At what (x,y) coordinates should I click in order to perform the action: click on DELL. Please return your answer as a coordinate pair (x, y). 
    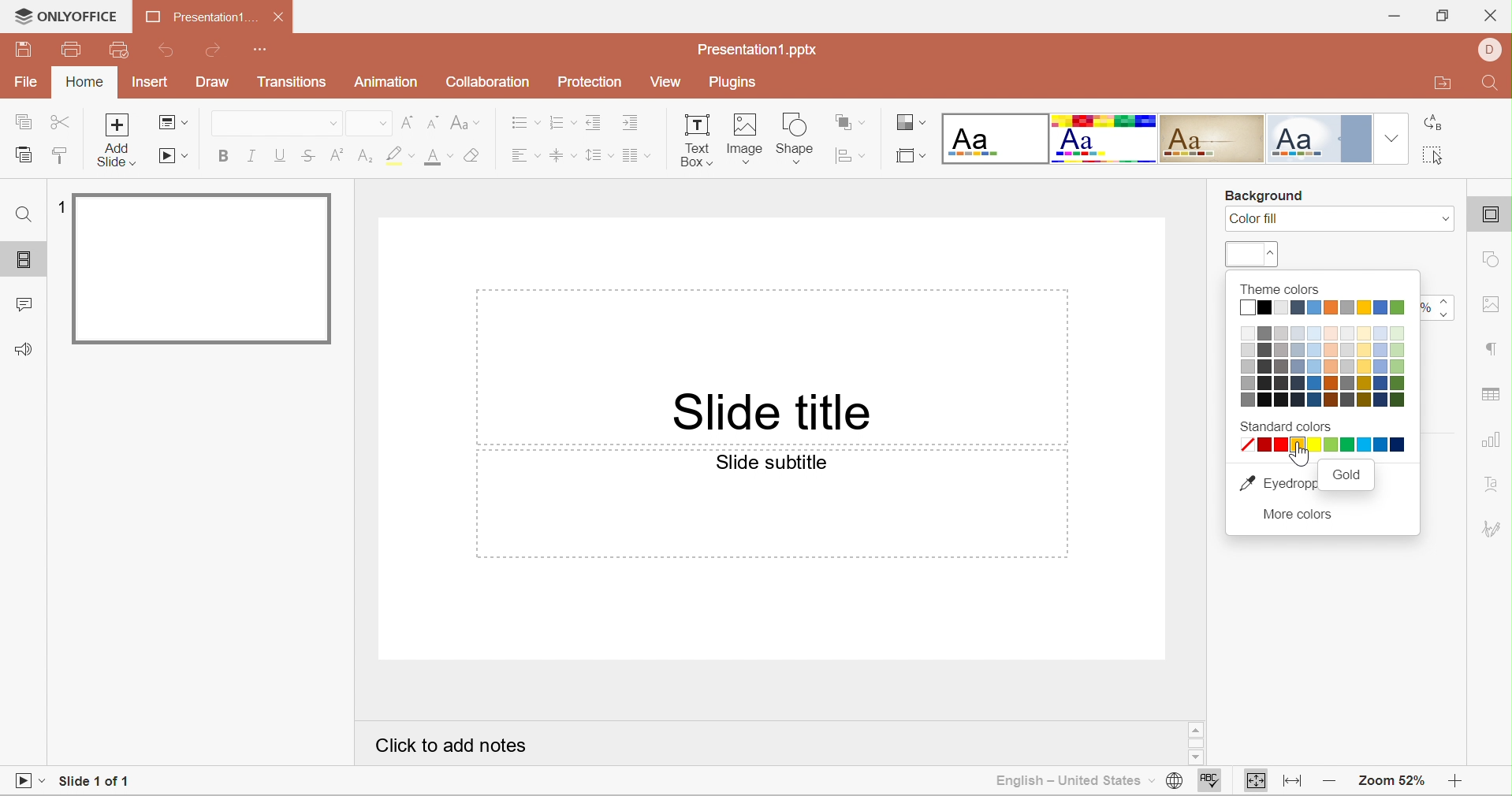
    Looking at the image, I should click on (1493, 48).